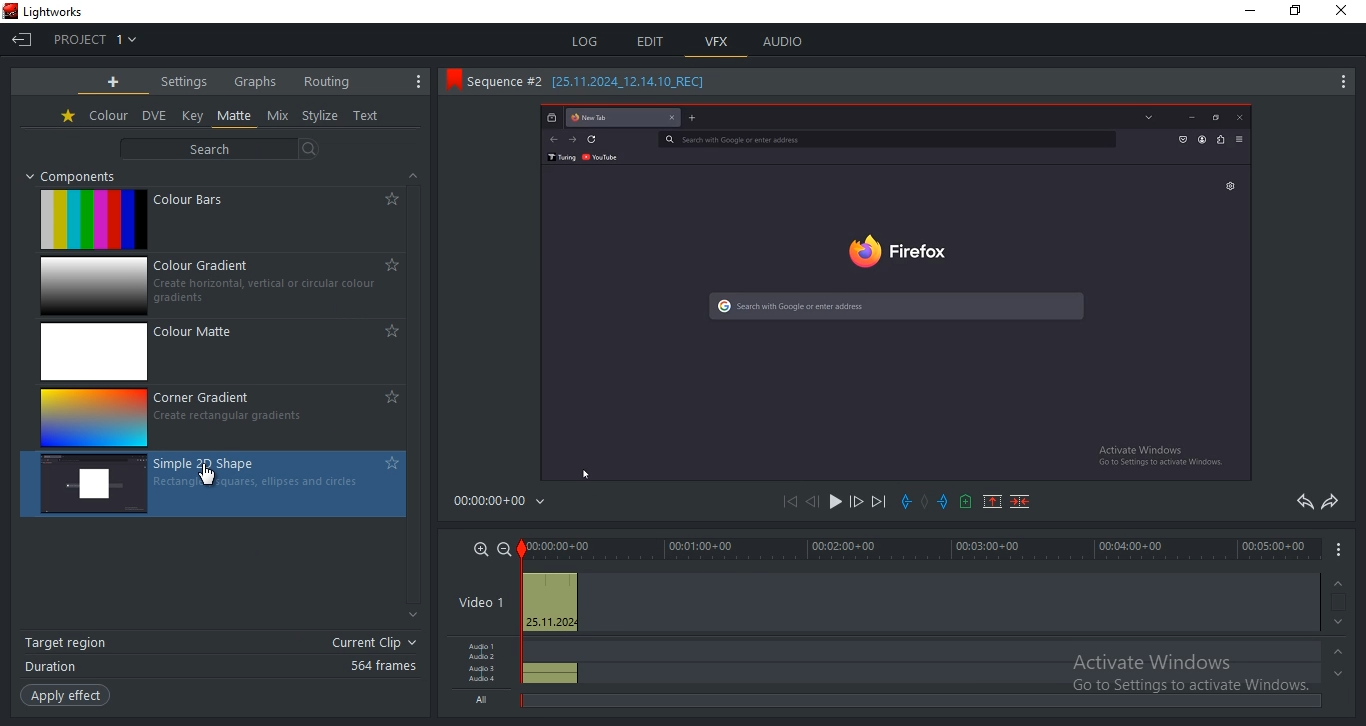  What do you see at coordinates (224, 148) in the screenshot?
I see `search` at bounding box center [224, 148].